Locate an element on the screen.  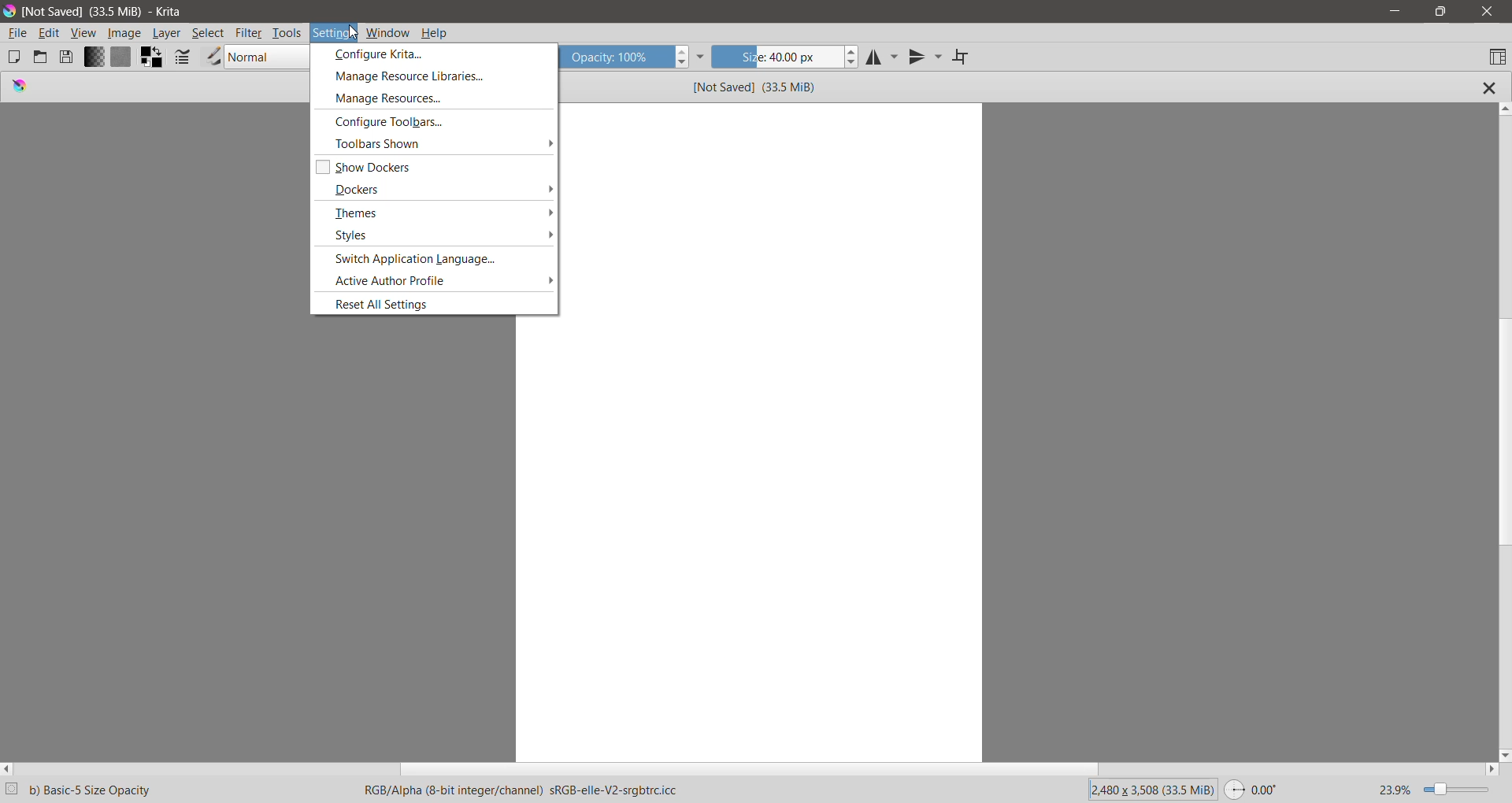
Configure Krita is located at coordinates (388, 55).